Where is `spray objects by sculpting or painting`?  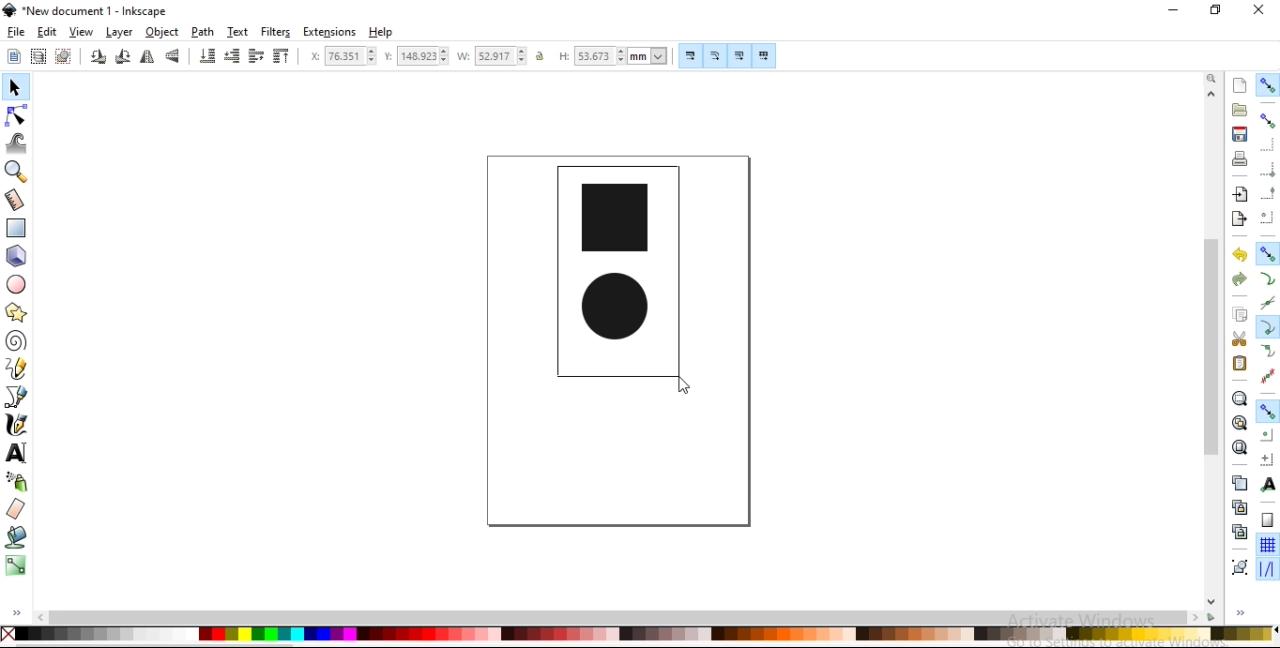 spray objects by sculpting or painting is located at coordinates (16, 482).